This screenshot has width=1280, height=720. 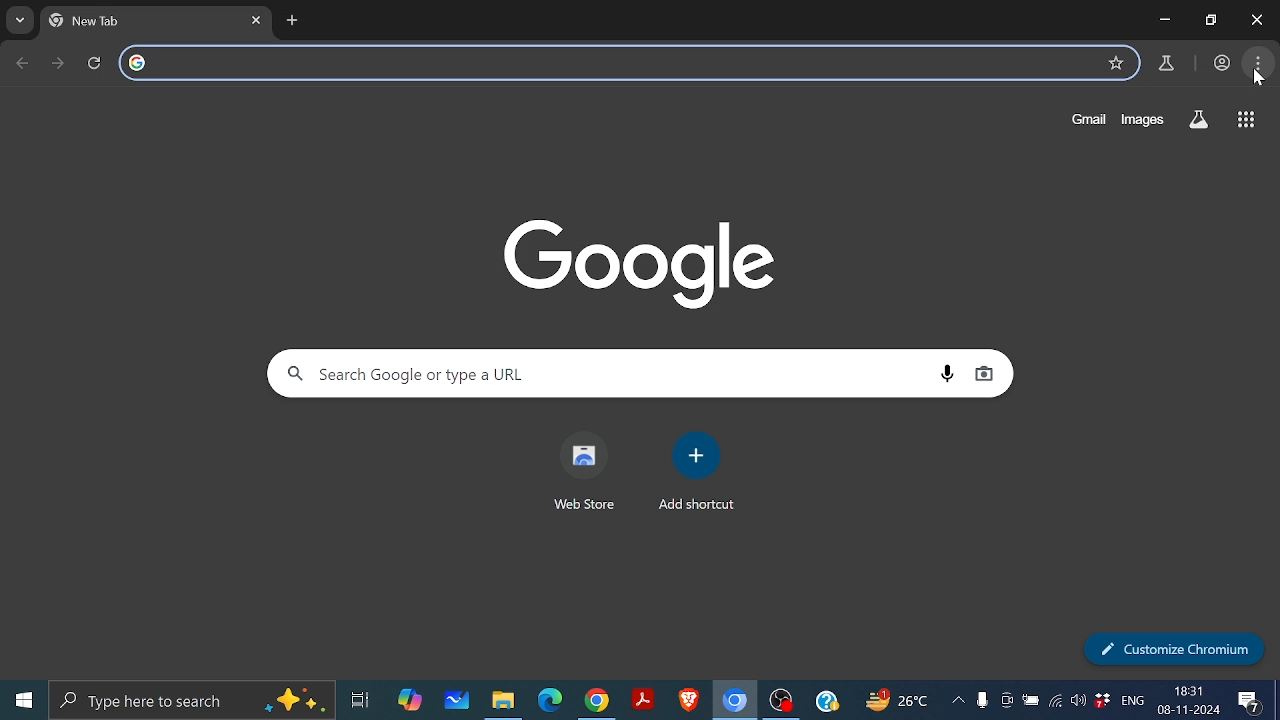 What do you see at coordinates (592, 373) in the screenshot?
I see `Search google or type a url` at bounding box center [592, 373].